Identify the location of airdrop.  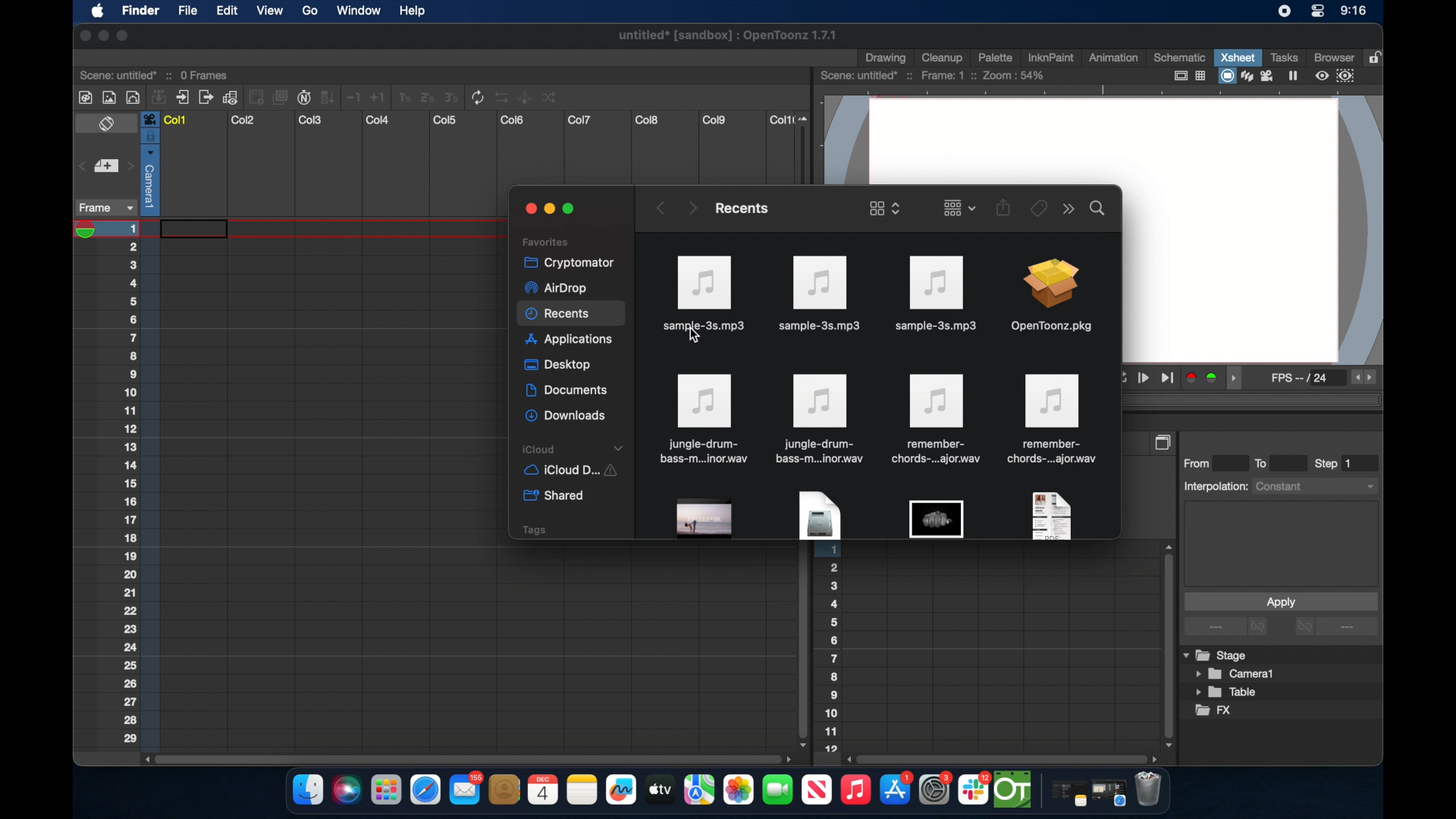
(555, 288).